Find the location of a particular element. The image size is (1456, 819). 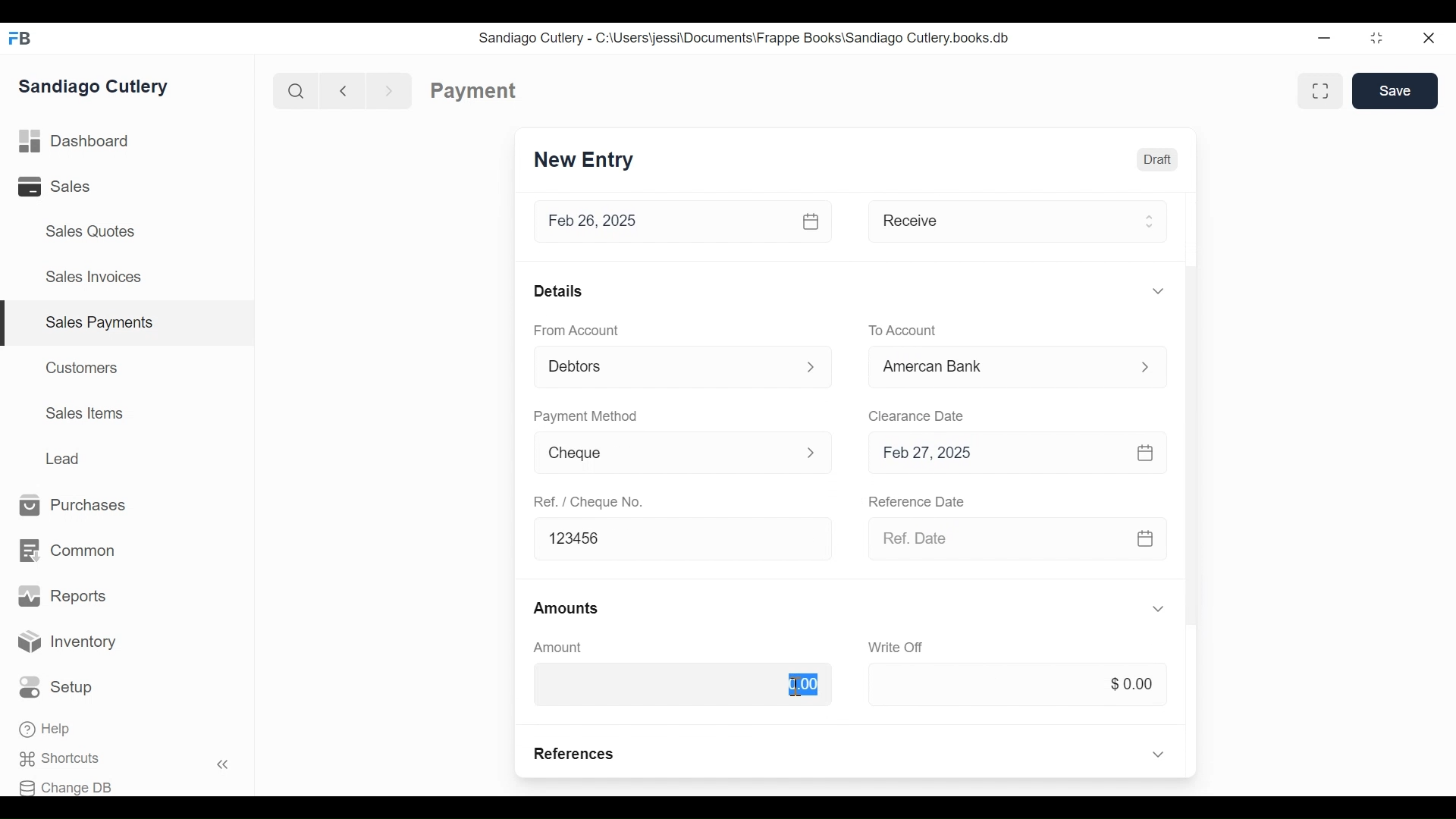

Sandiago Cutlery is located at coordinates (96, 86).